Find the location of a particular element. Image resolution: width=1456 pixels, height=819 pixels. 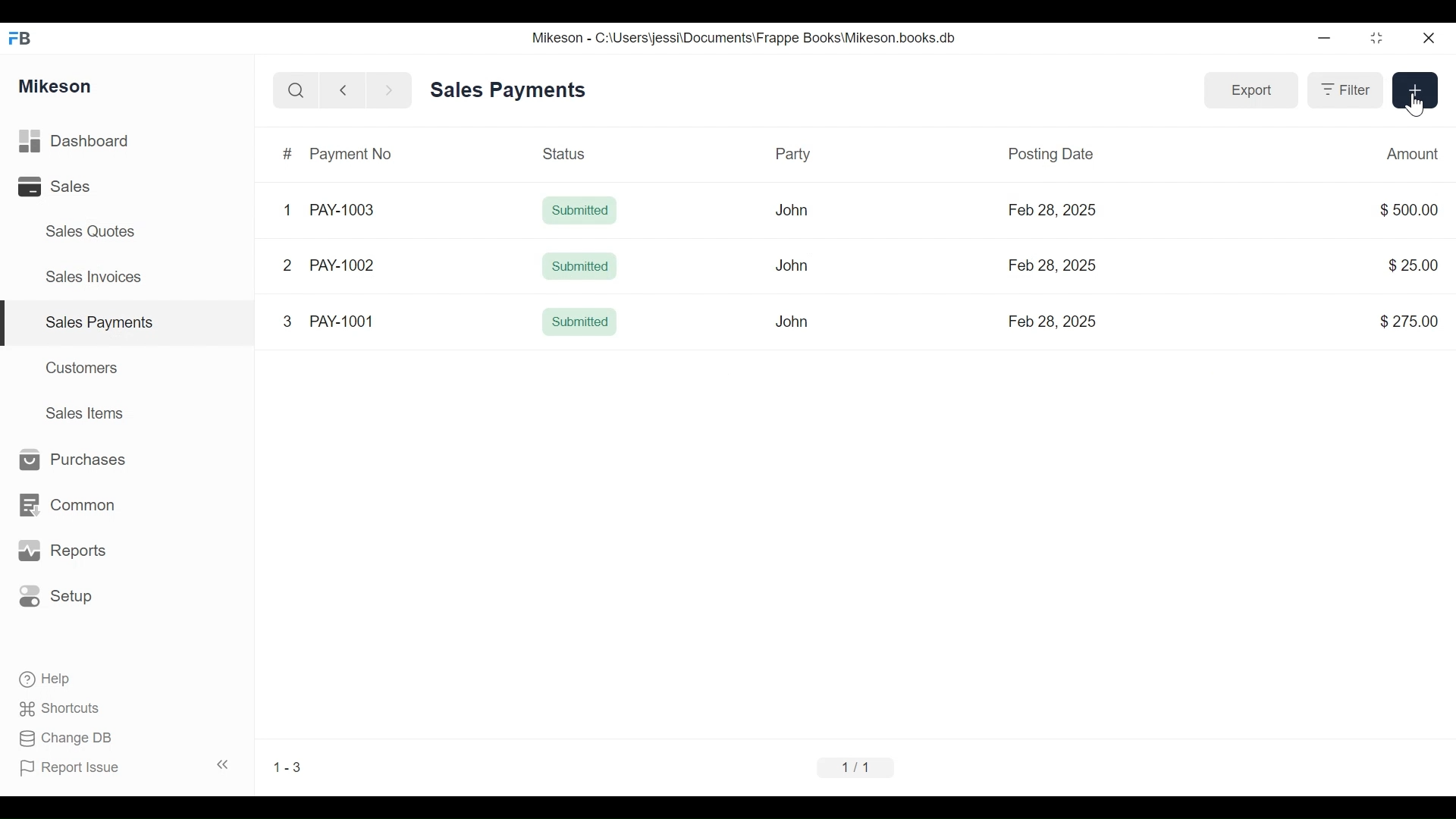

Reports is located at coordinates (65, 551).